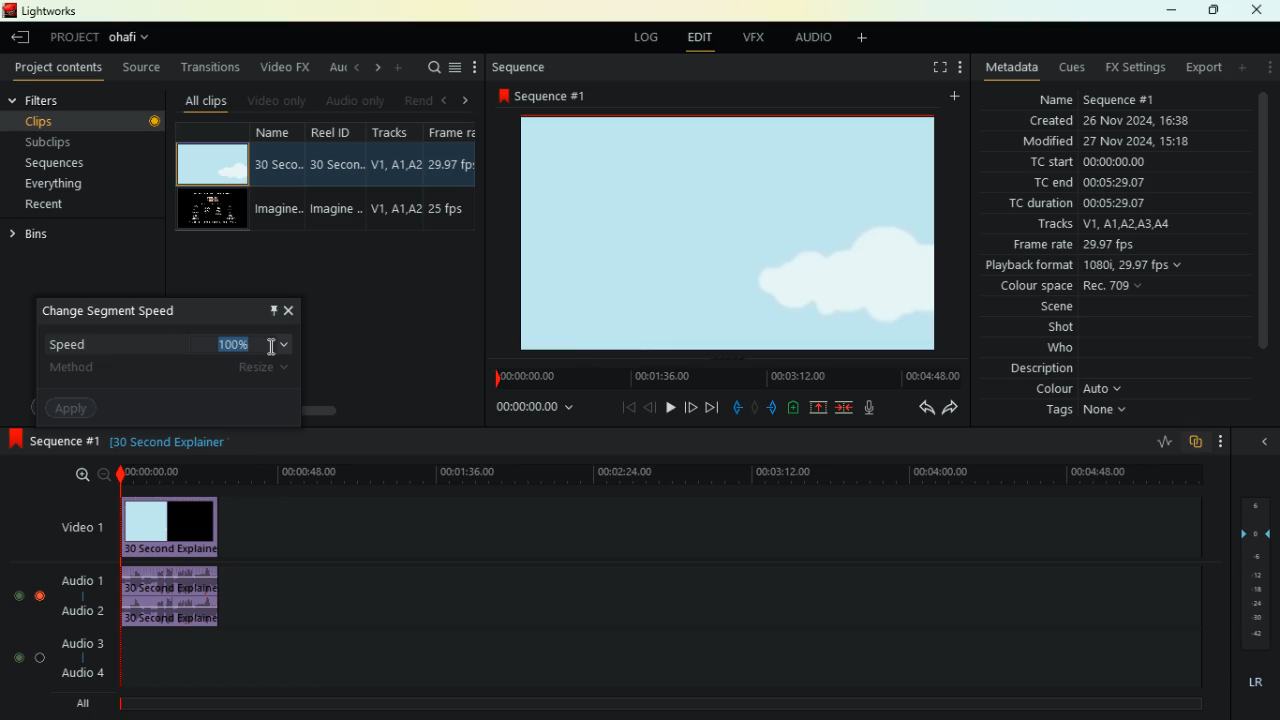  Describe the element at coordinates (620, 407) in the screenshot. I see `beggining` at that location.